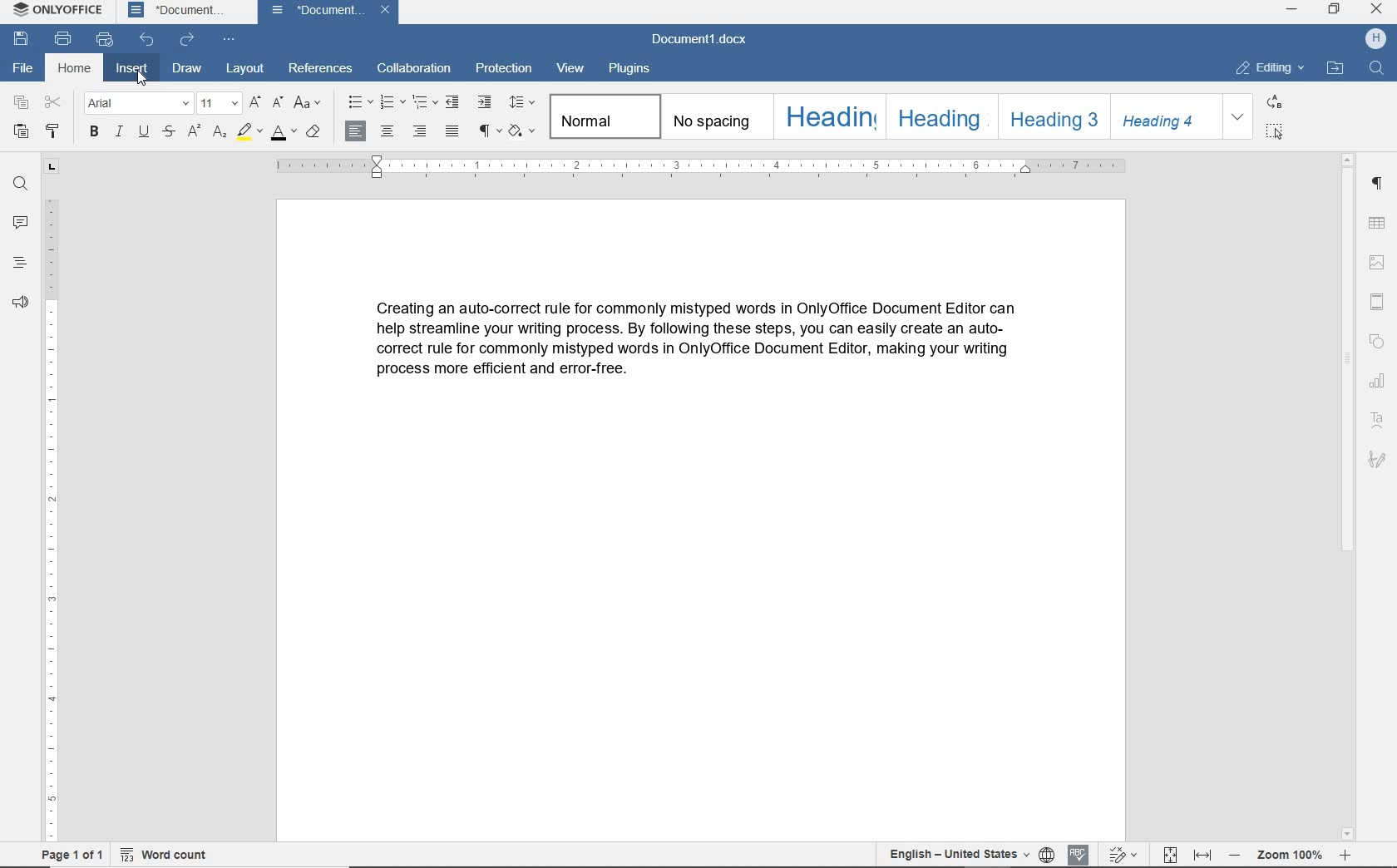  Describe the element at coordinates (186, 39) in the screenshot. I see `redo` at that location.